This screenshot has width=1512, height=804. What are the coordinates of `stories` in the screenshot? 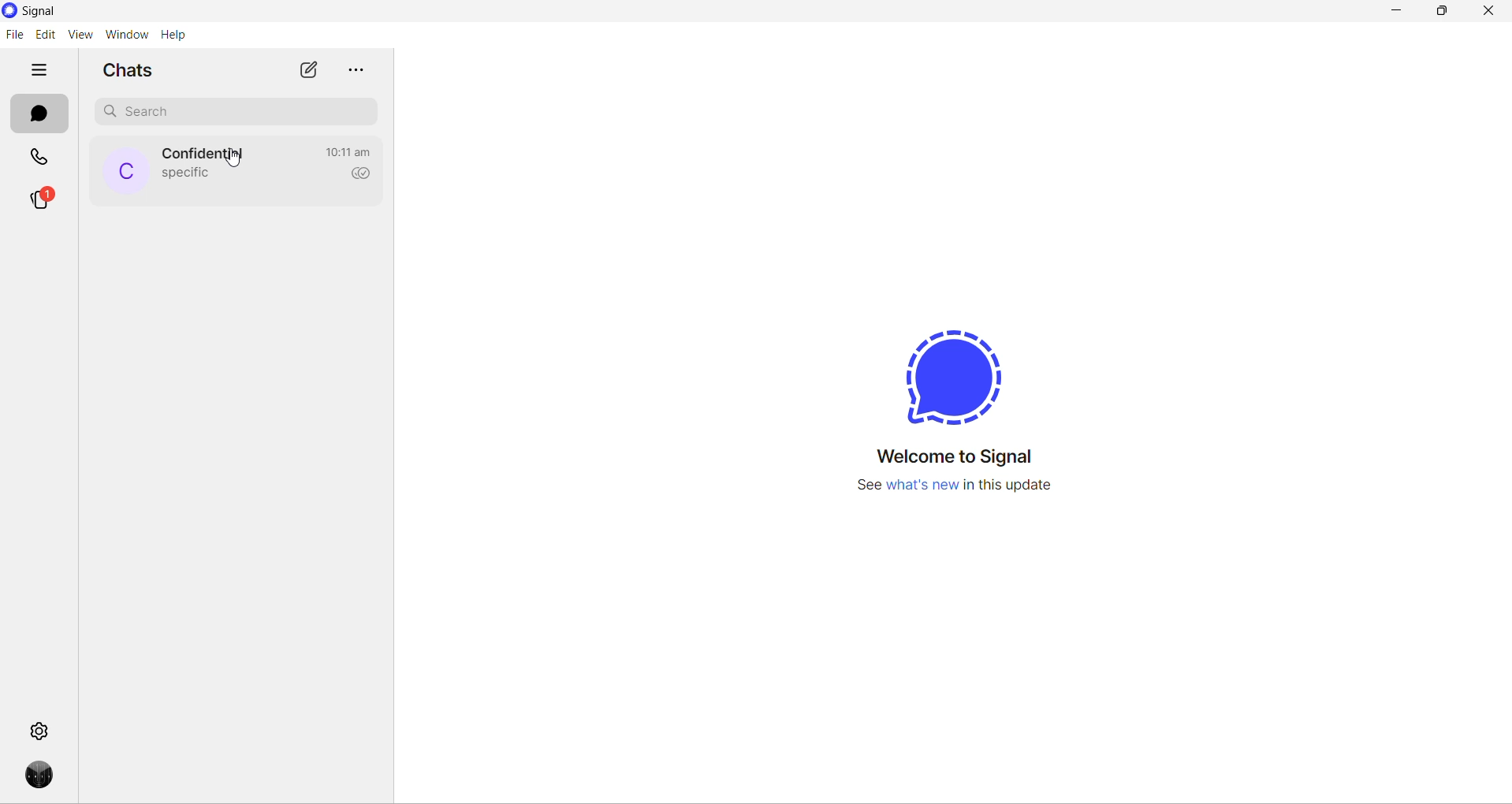 It's located at (42, 204).